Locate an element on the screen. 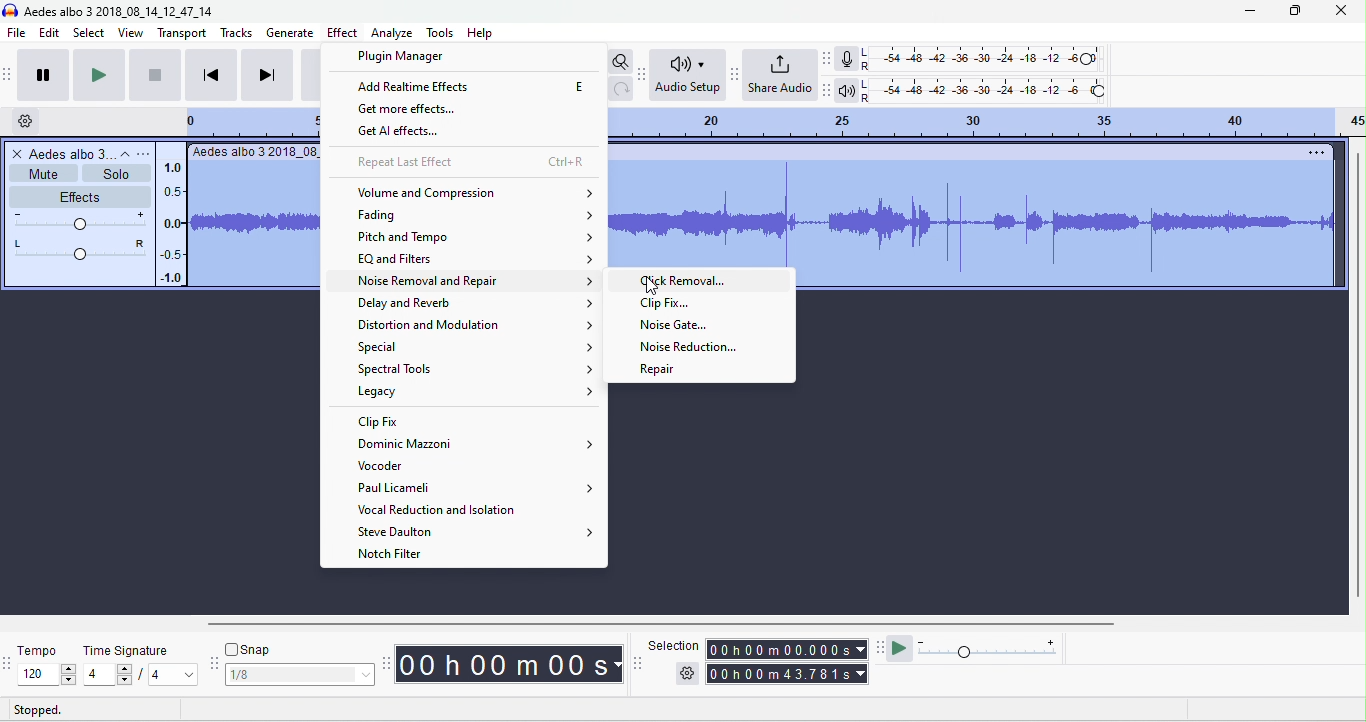 The height and width of the screenshot is (722, 1366). audacity time toolbar is located at coordinates (386, 662).